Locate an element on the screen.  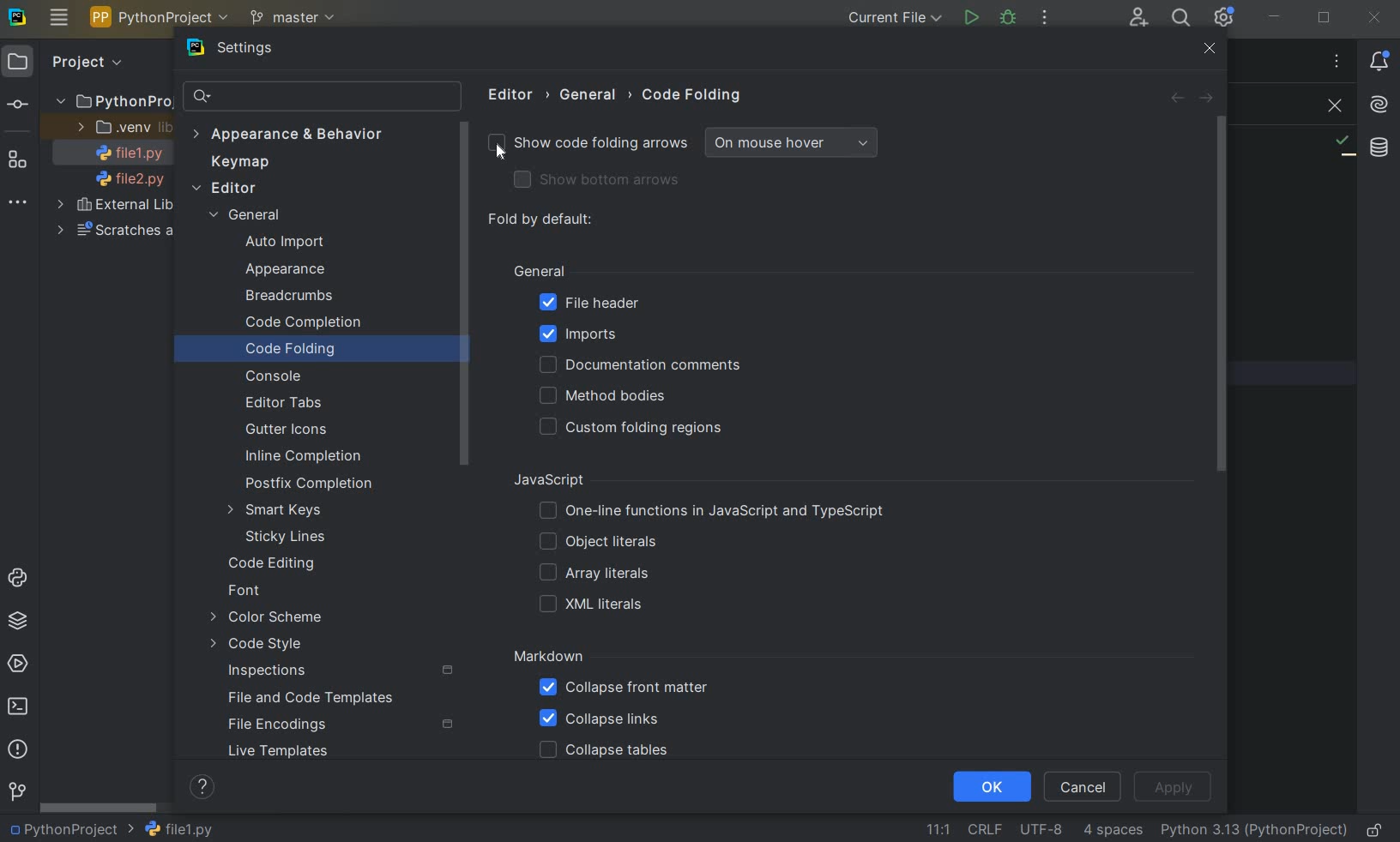
GO TO LINE is located at coordinates (936, 827).